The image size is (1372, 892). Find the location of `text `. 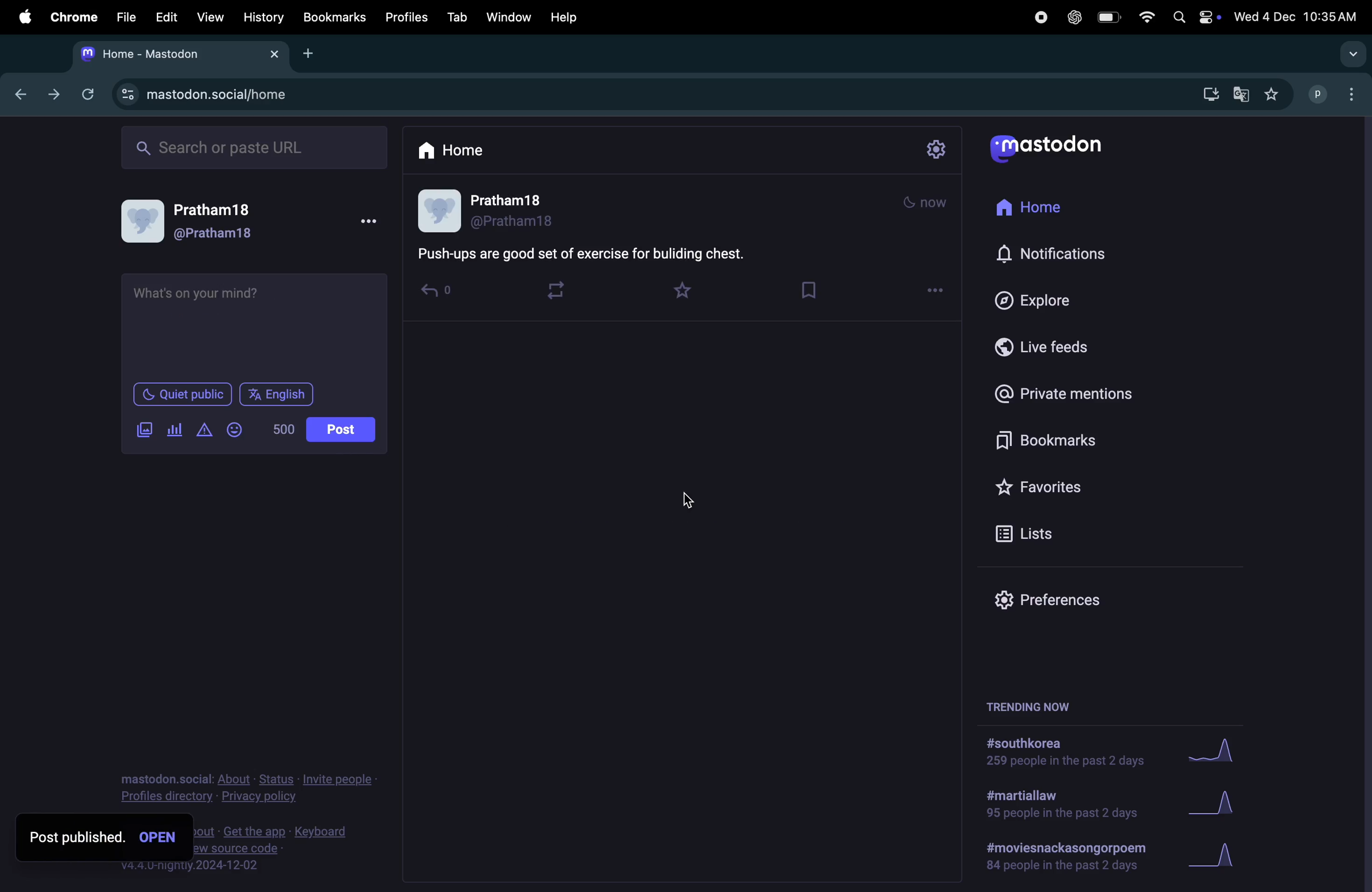

text  is located at coordinates (584, 253).